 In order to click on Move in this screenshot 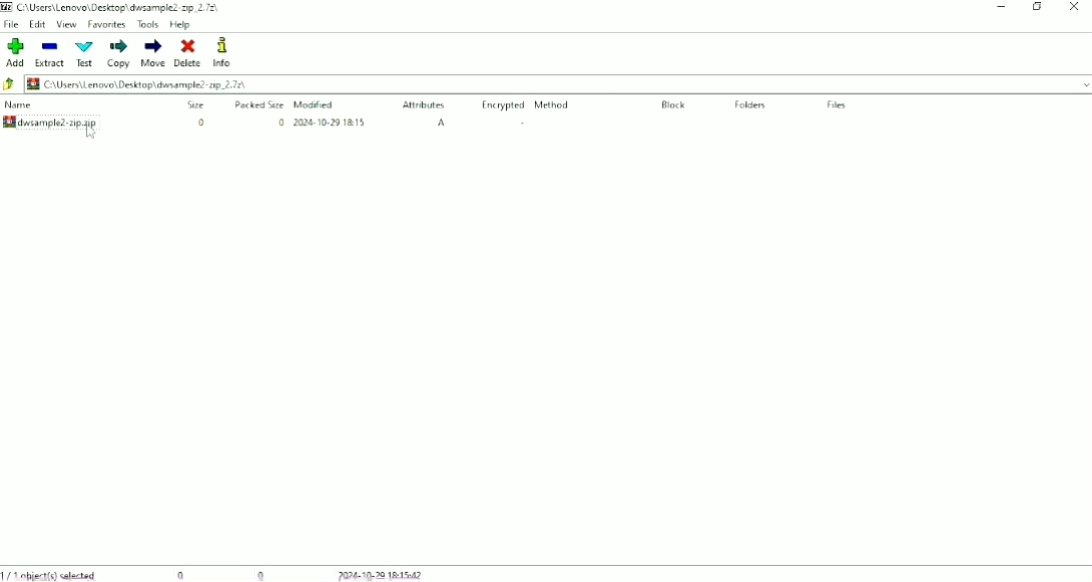, I will do `click(152, 53)`.